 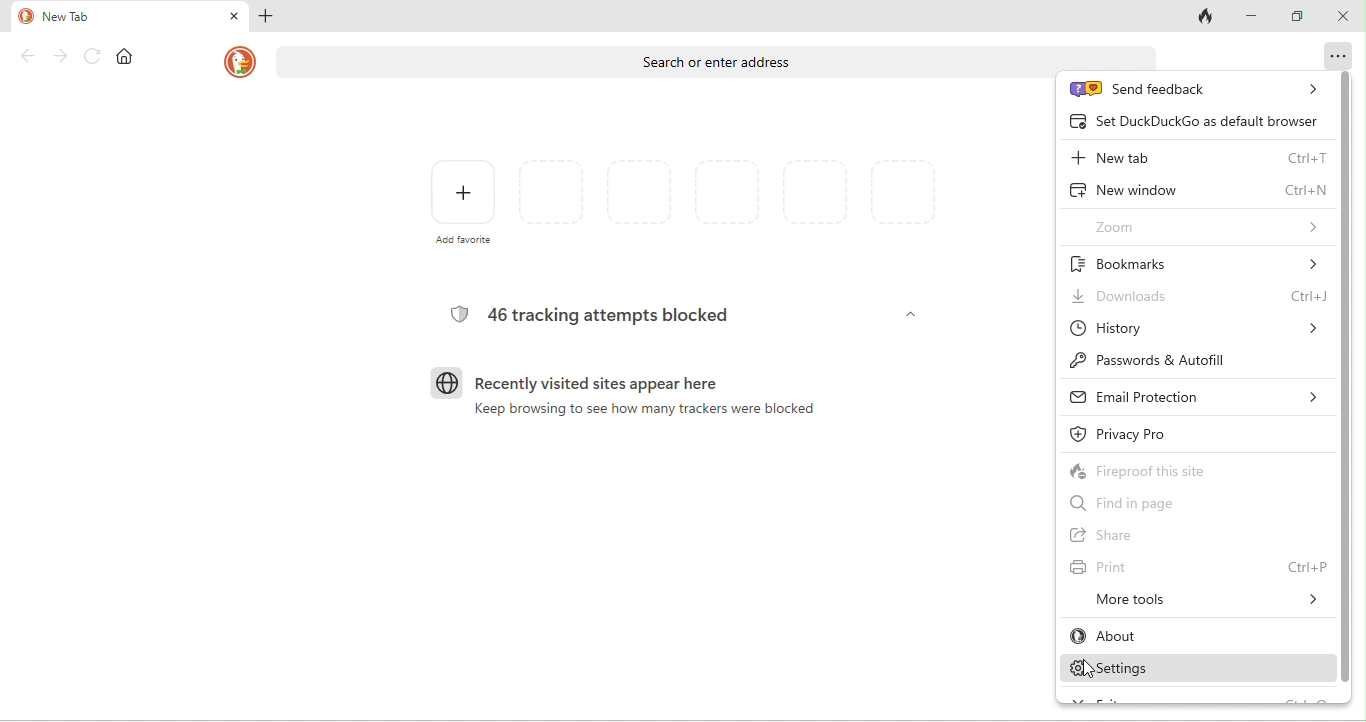 I want to click on history, so click(x=1196, y=328).